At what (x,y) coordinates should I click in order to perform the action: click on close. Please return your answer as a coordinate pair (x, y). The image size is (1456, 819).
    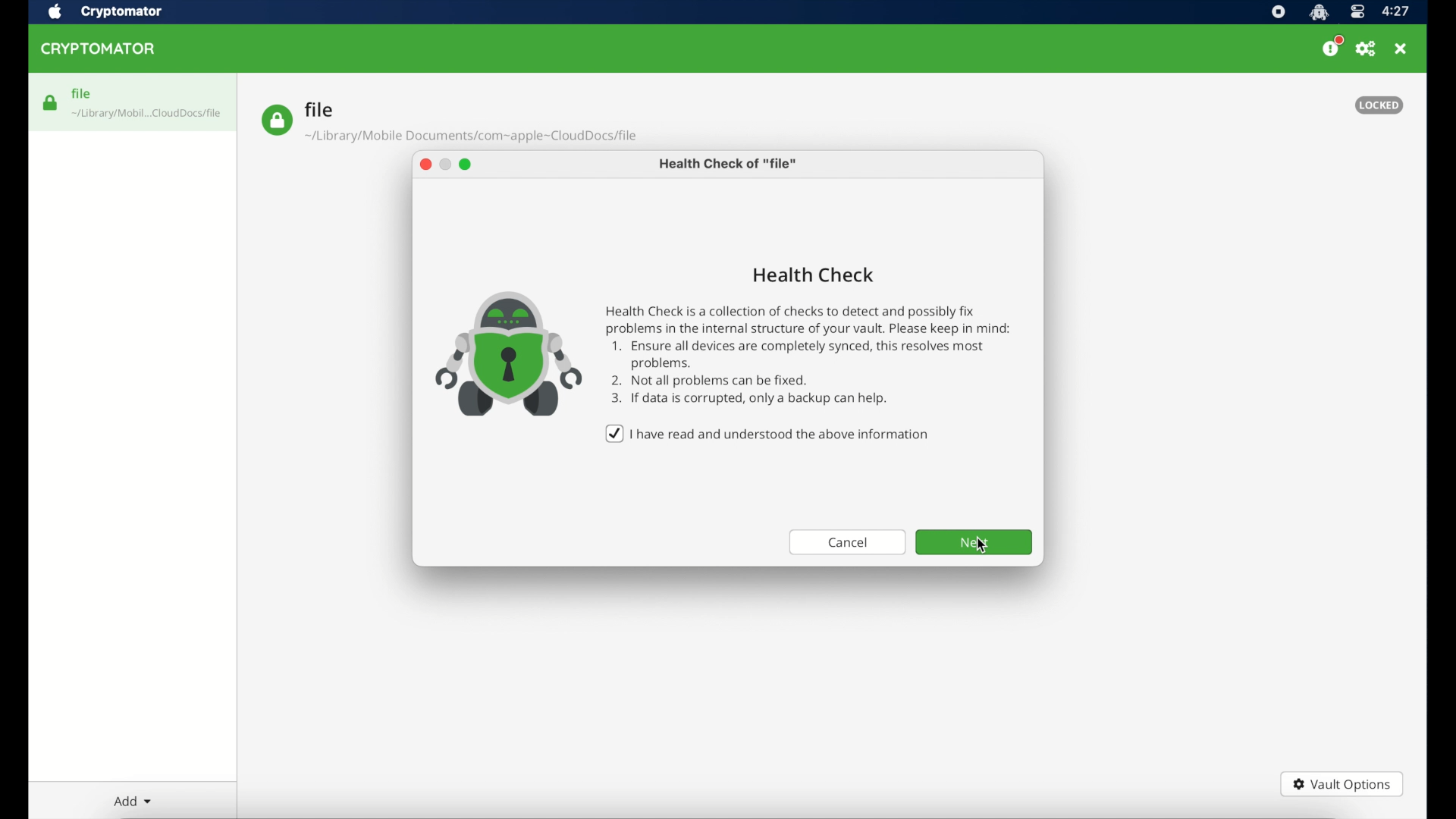
    Looking at the image, I should click on (425, 166).